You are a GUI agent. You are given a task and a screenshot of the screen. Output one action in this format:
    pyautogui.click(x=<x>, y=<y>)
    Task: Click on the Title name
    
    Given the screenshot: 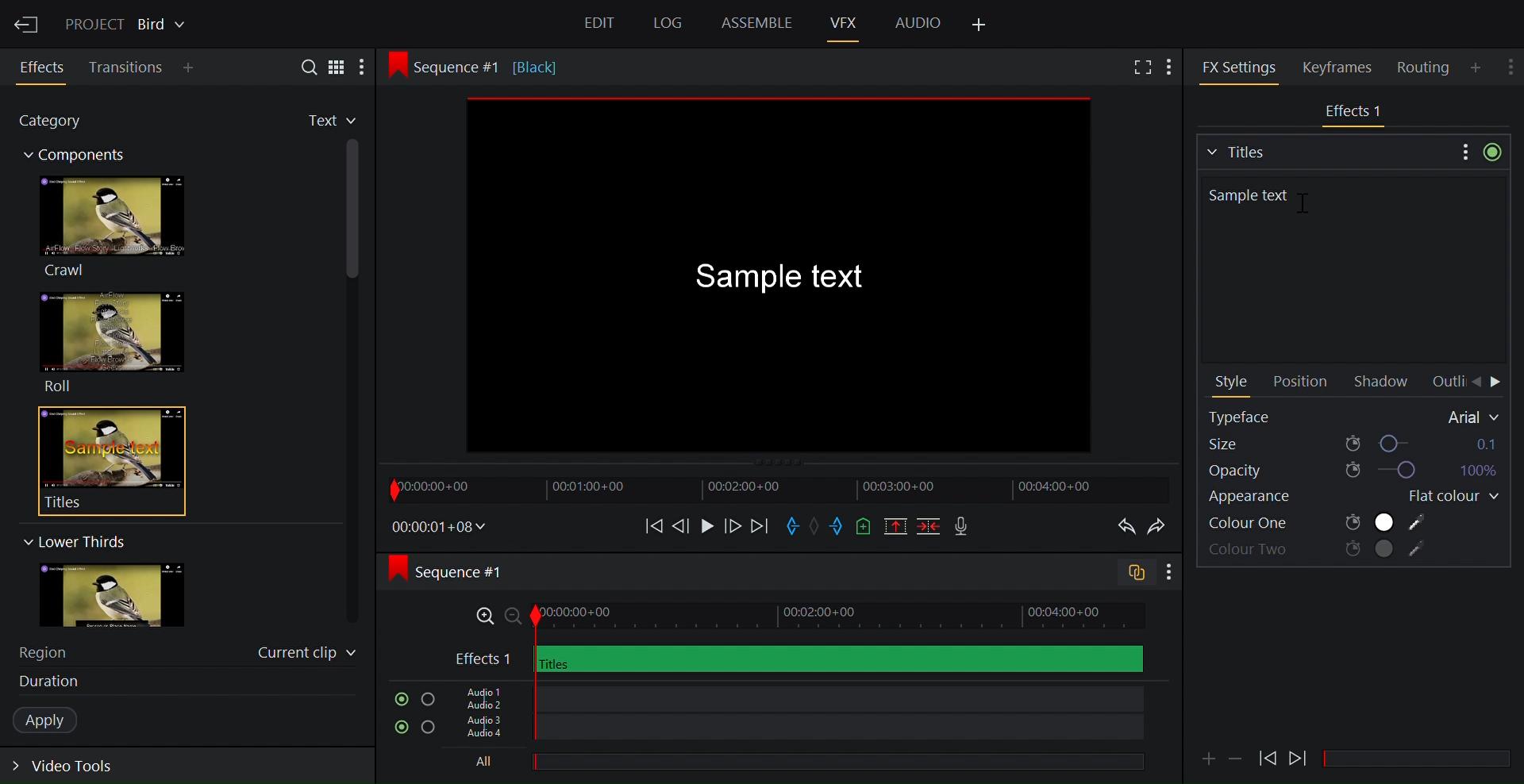 What is the action you would take?
    pyautogui.click(x=1349, y=267)
    